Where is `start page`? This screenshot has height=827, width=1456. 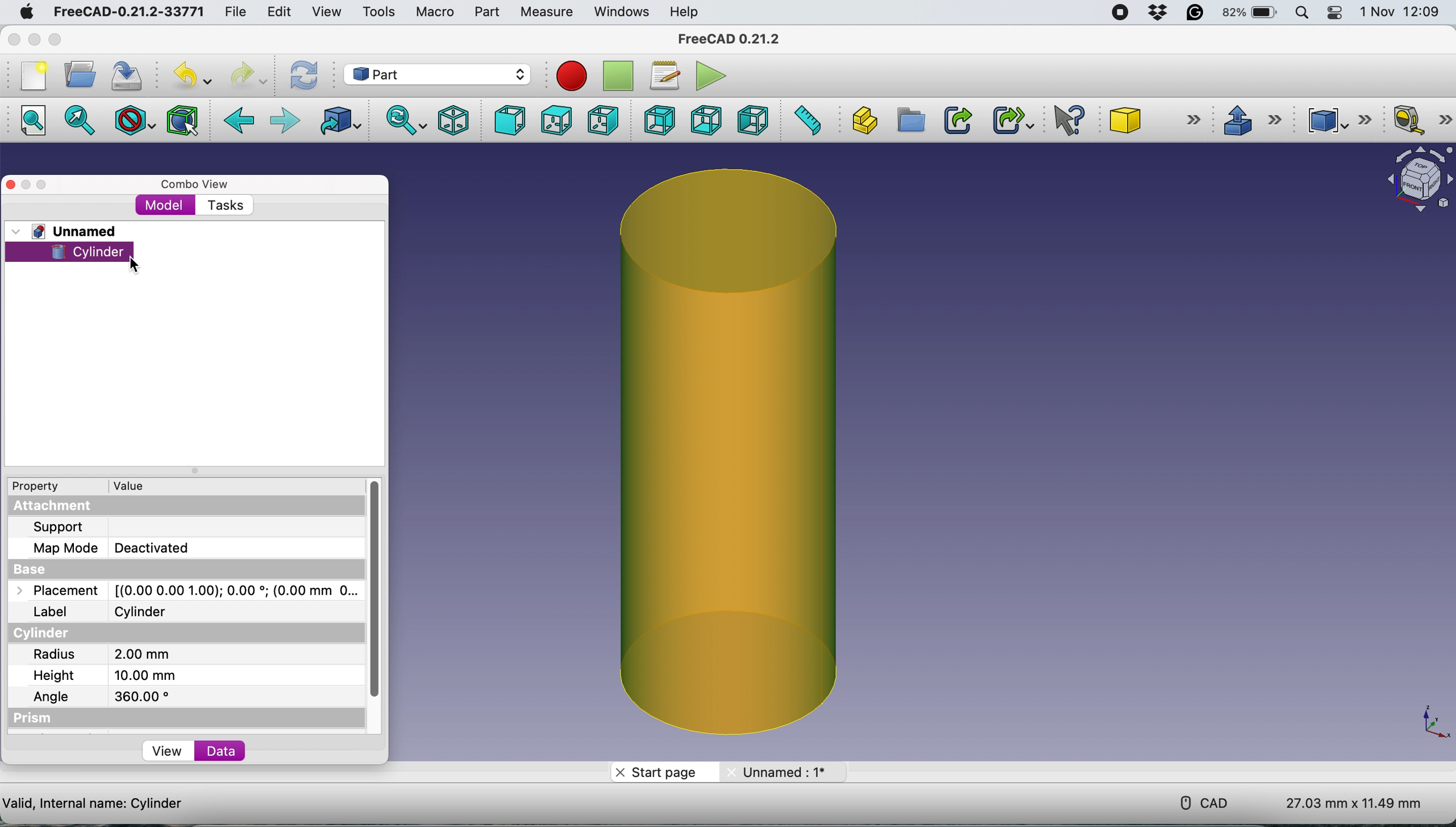
start page is located at coordinates (661, 774).